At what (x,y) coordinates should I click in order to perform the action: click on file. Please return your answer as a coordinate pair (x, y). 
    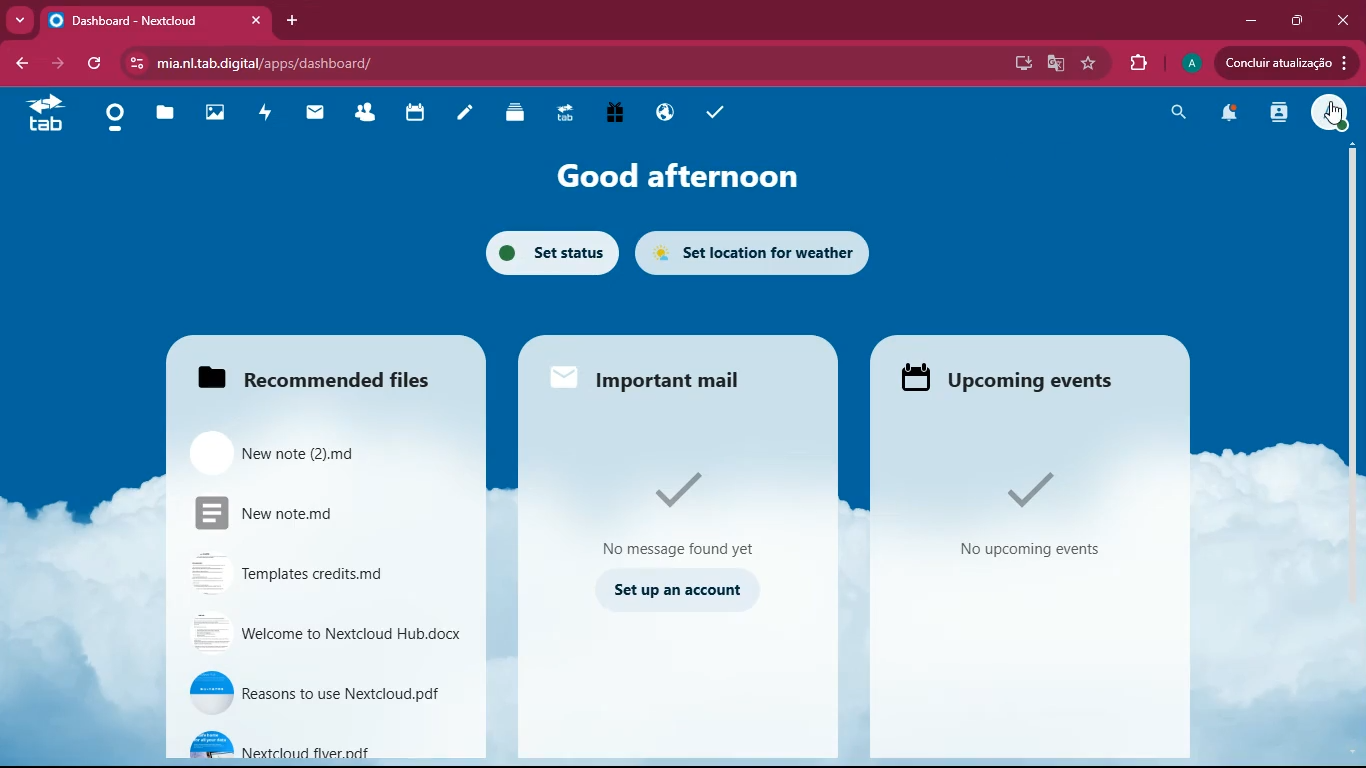
    Looking at the image, I should click on (317, 692).